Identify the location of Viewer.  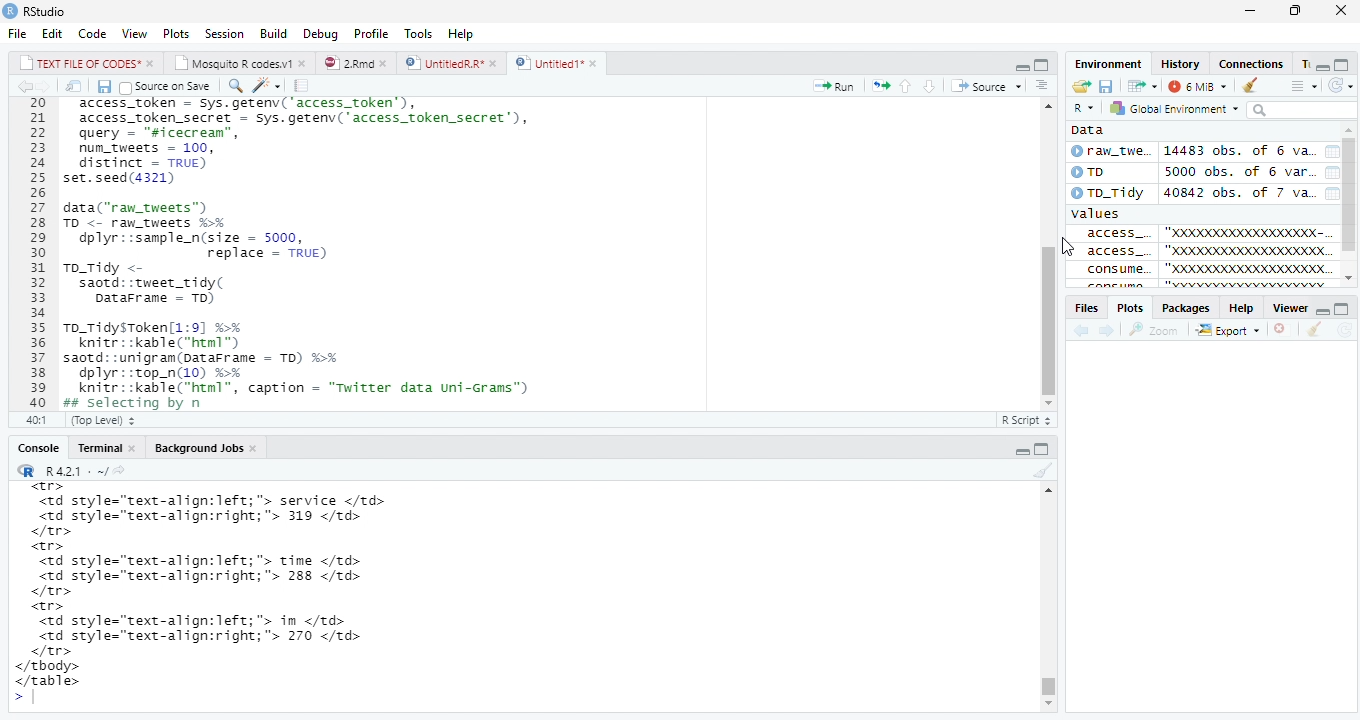
(1287, 307).